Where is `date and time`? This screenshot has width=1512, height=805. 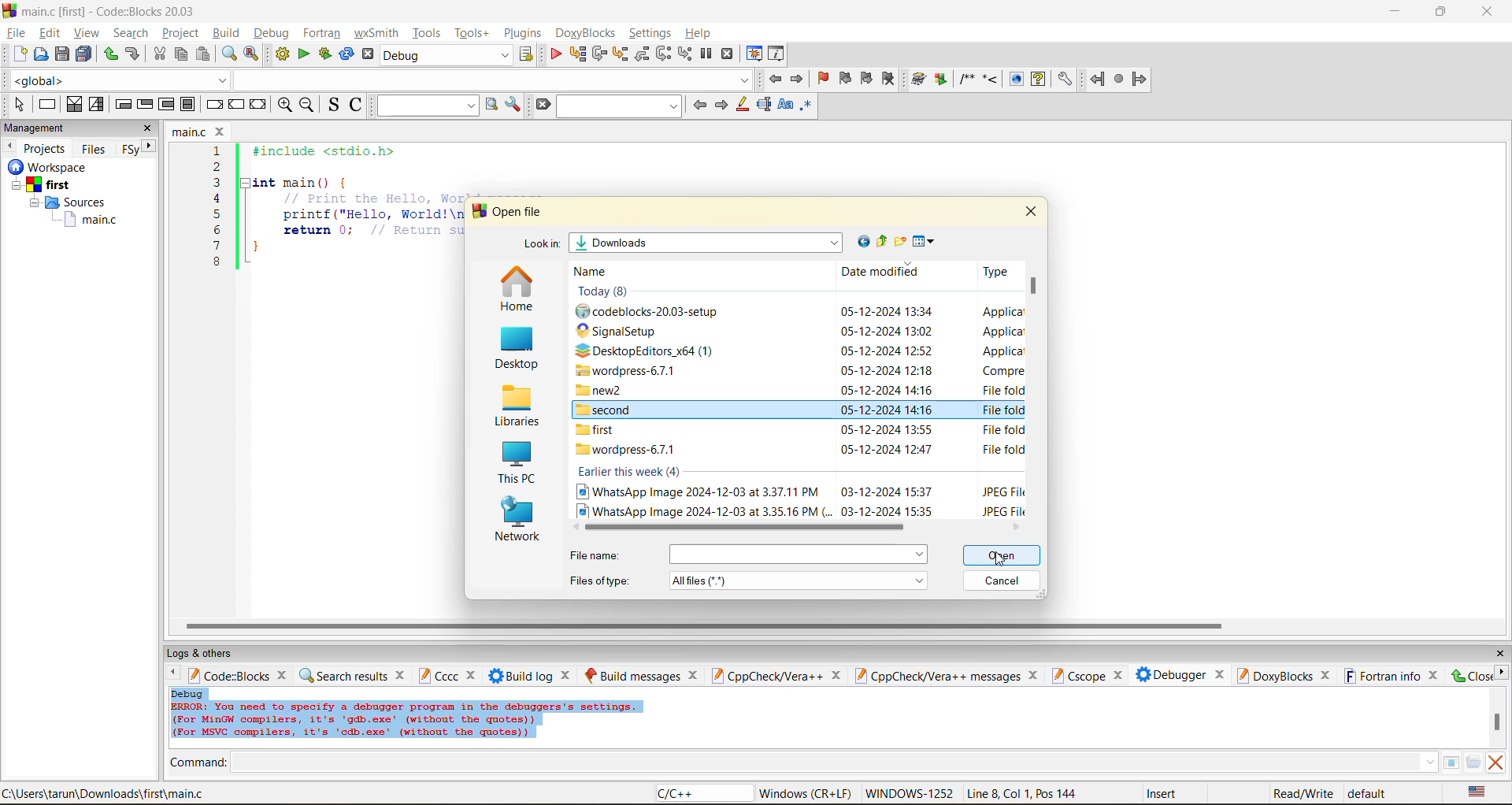 date and time is located at coordinates (887, 331).